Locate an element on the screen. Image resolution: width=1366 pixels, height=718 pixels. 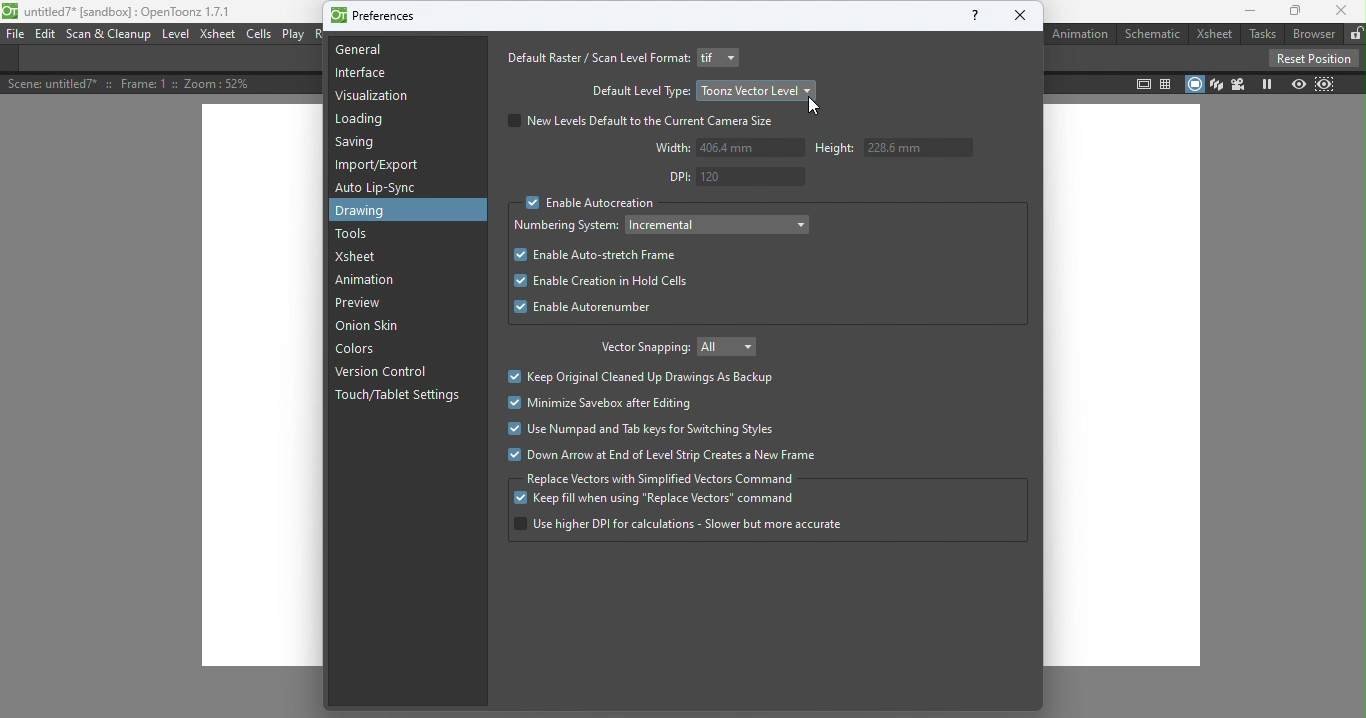
Drop down is located at coordinates (732, 348).